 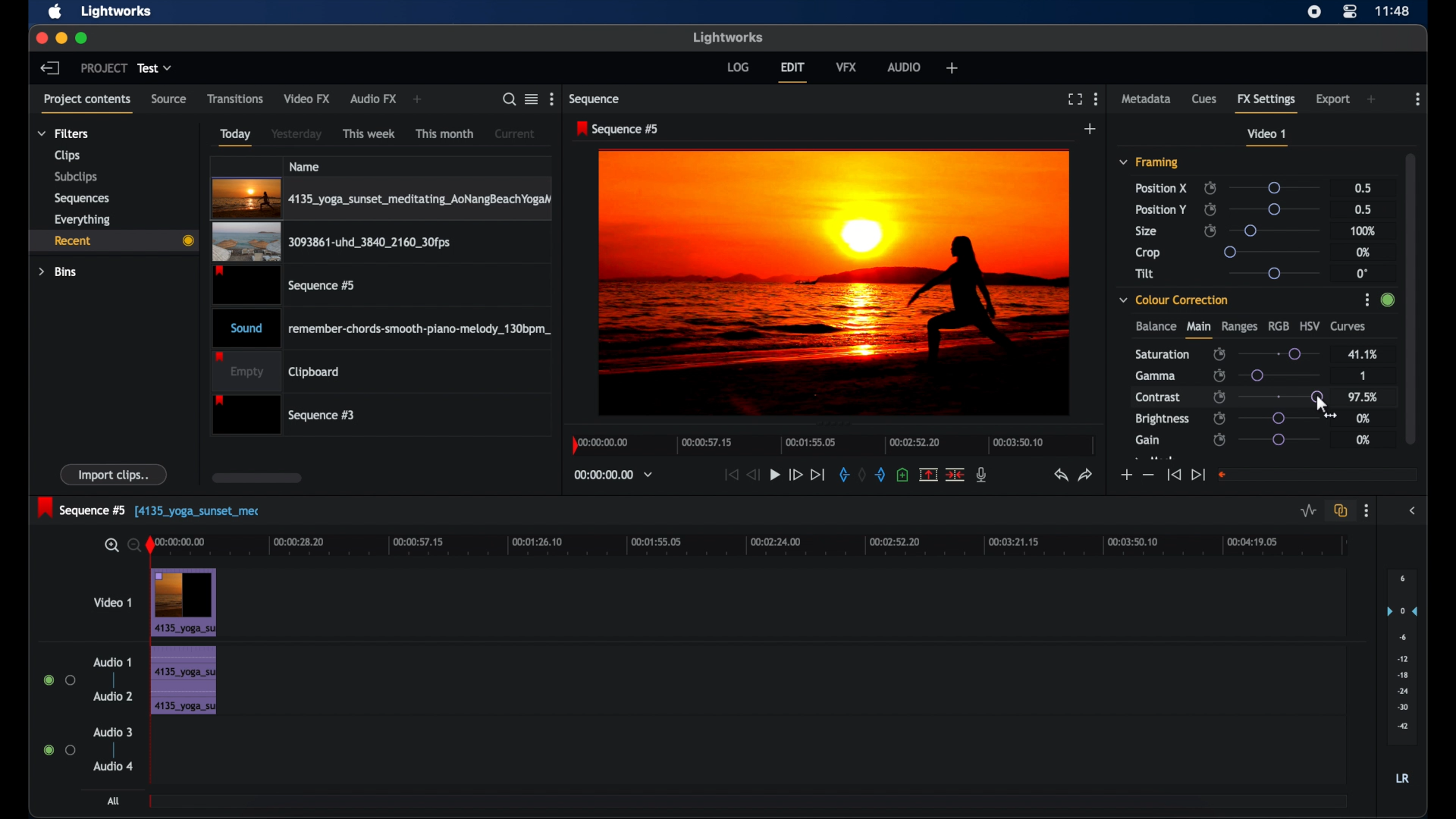 I want to click on maximize, so click(x=82, y=38).